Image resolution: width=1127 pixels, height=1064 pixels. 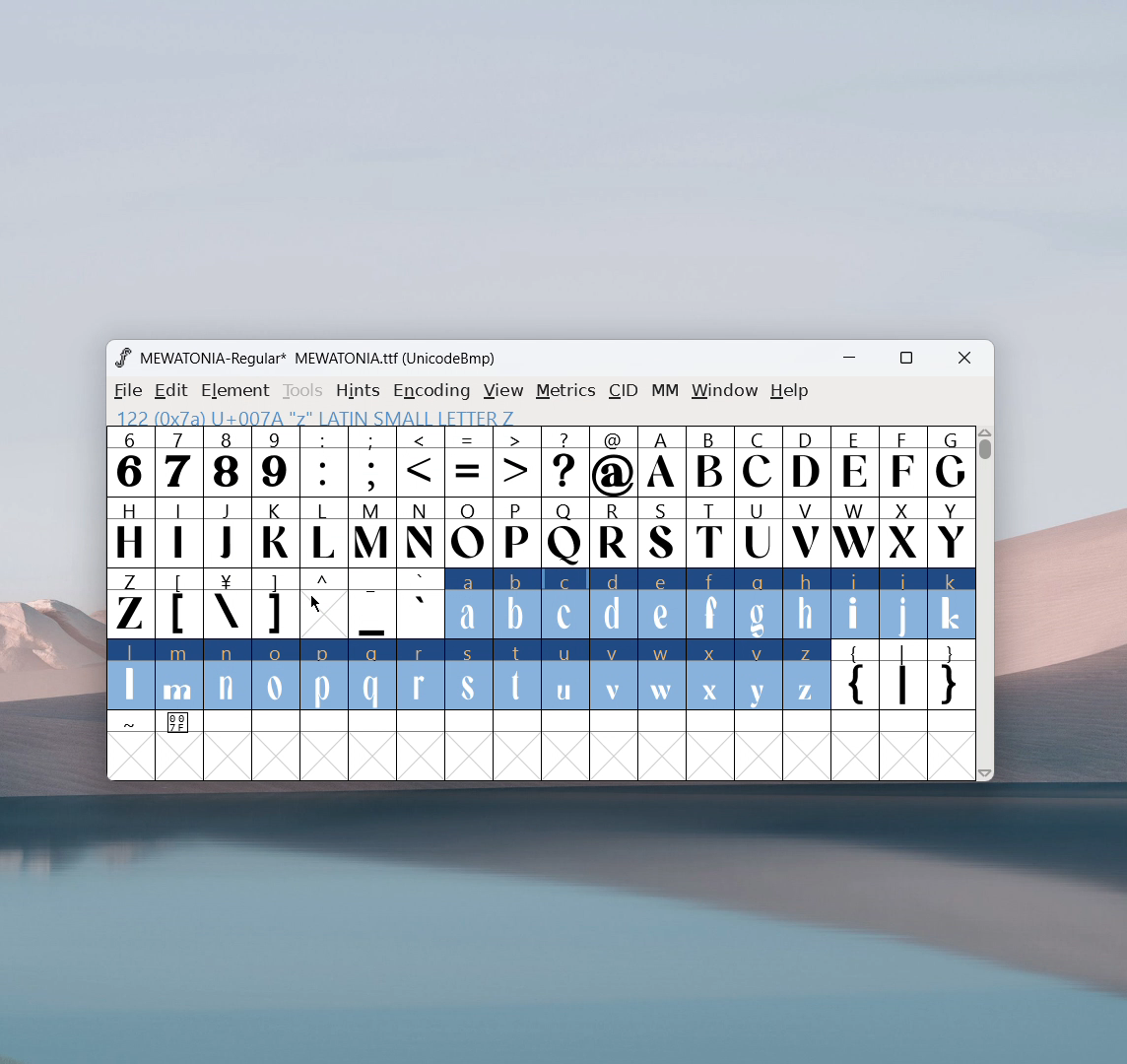 I want to click on V, so click(x=805, y=531).